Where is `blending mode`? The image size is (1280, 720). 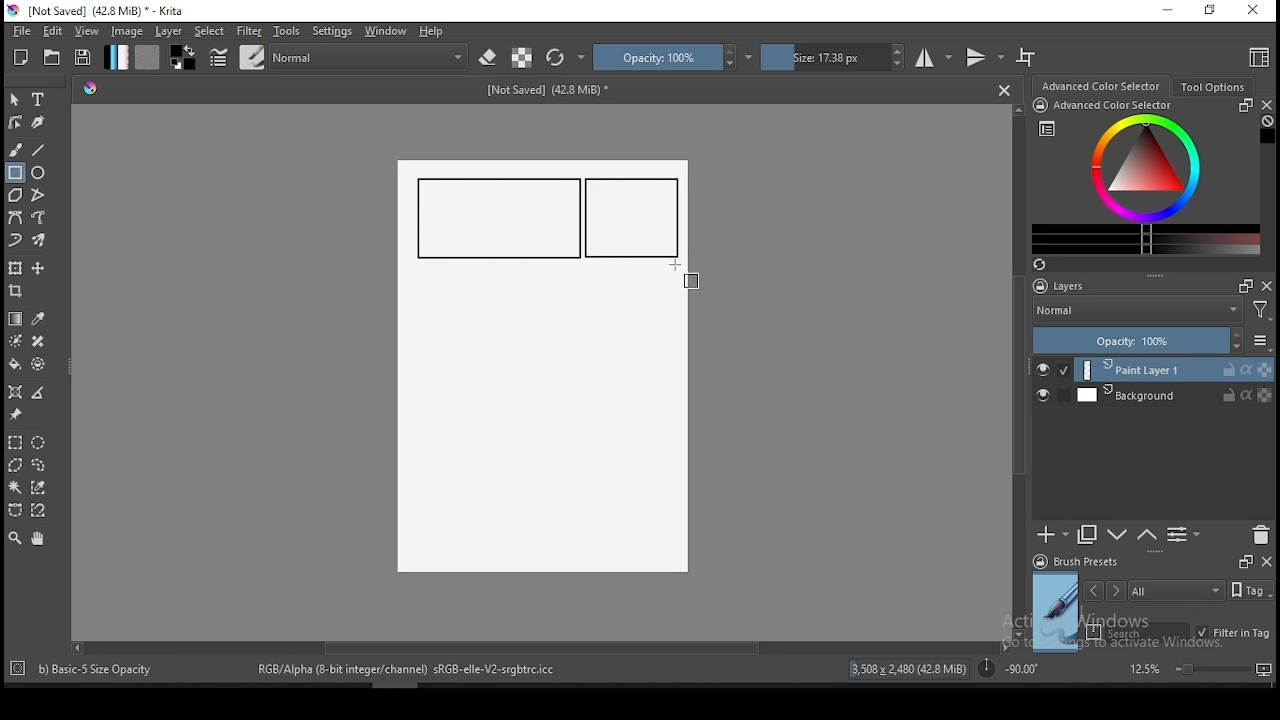
blending mode is located at coordinates (1136, 312).